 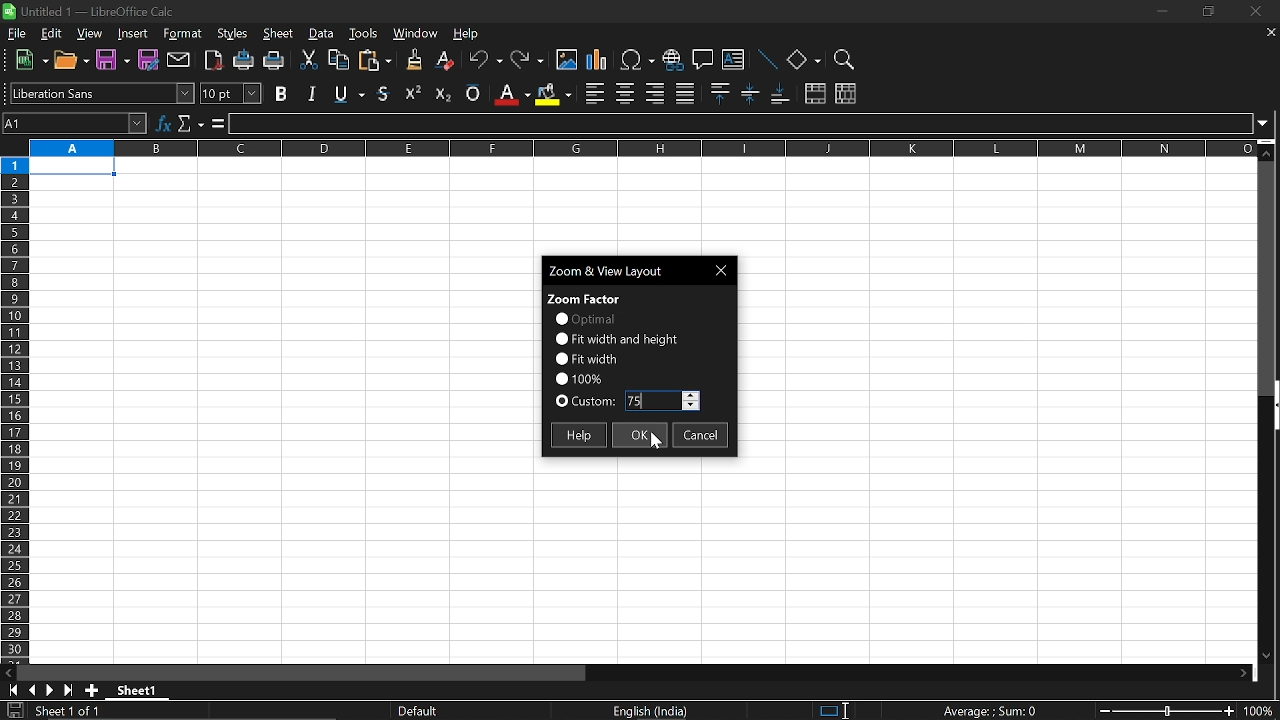 I want to click on close, so click(x=1252, y=13).